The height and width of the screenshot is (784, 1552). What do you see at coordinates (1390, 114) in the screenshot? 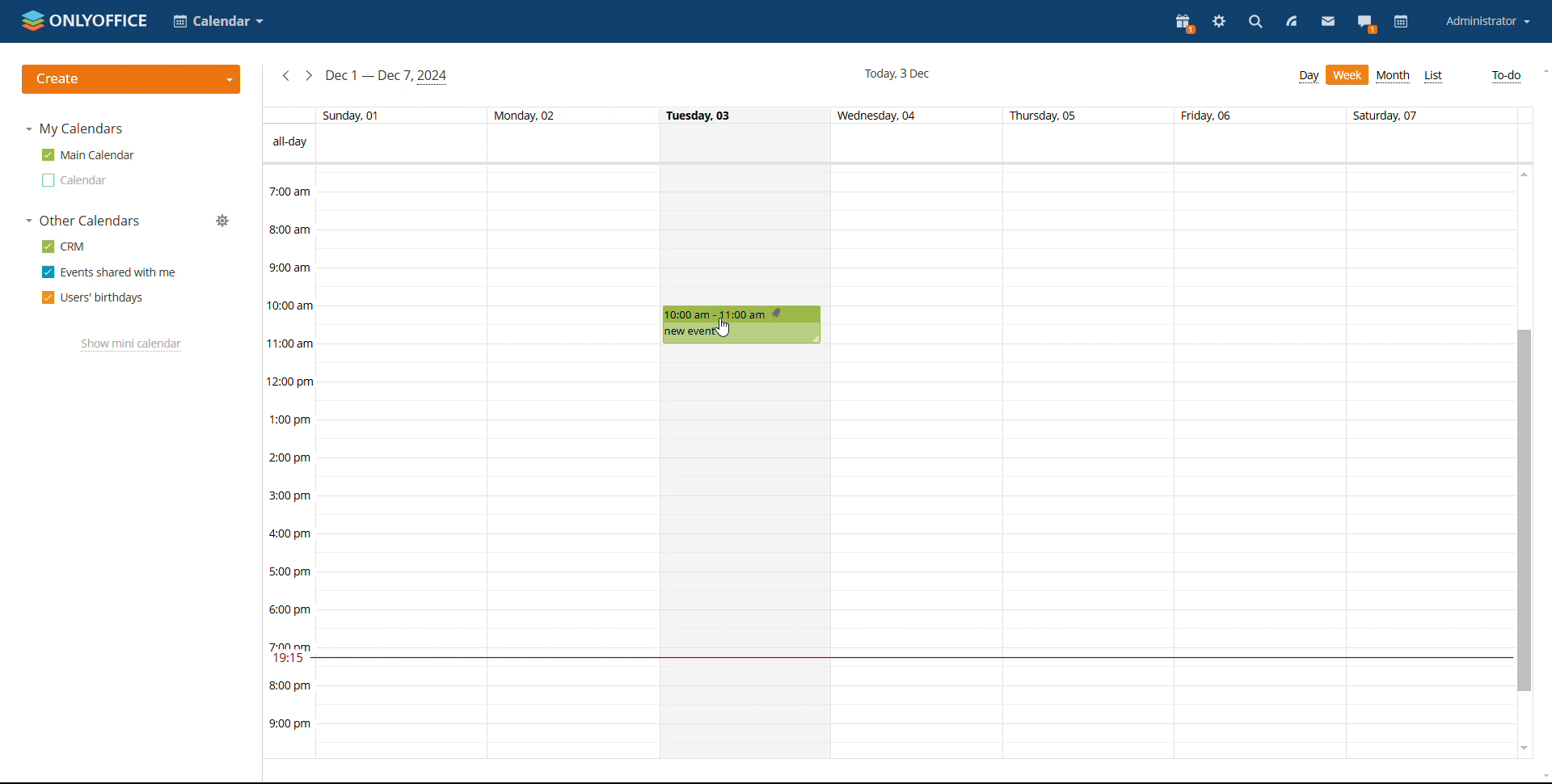
I see `Saturday, 07` at bounding box center [1390, 114].